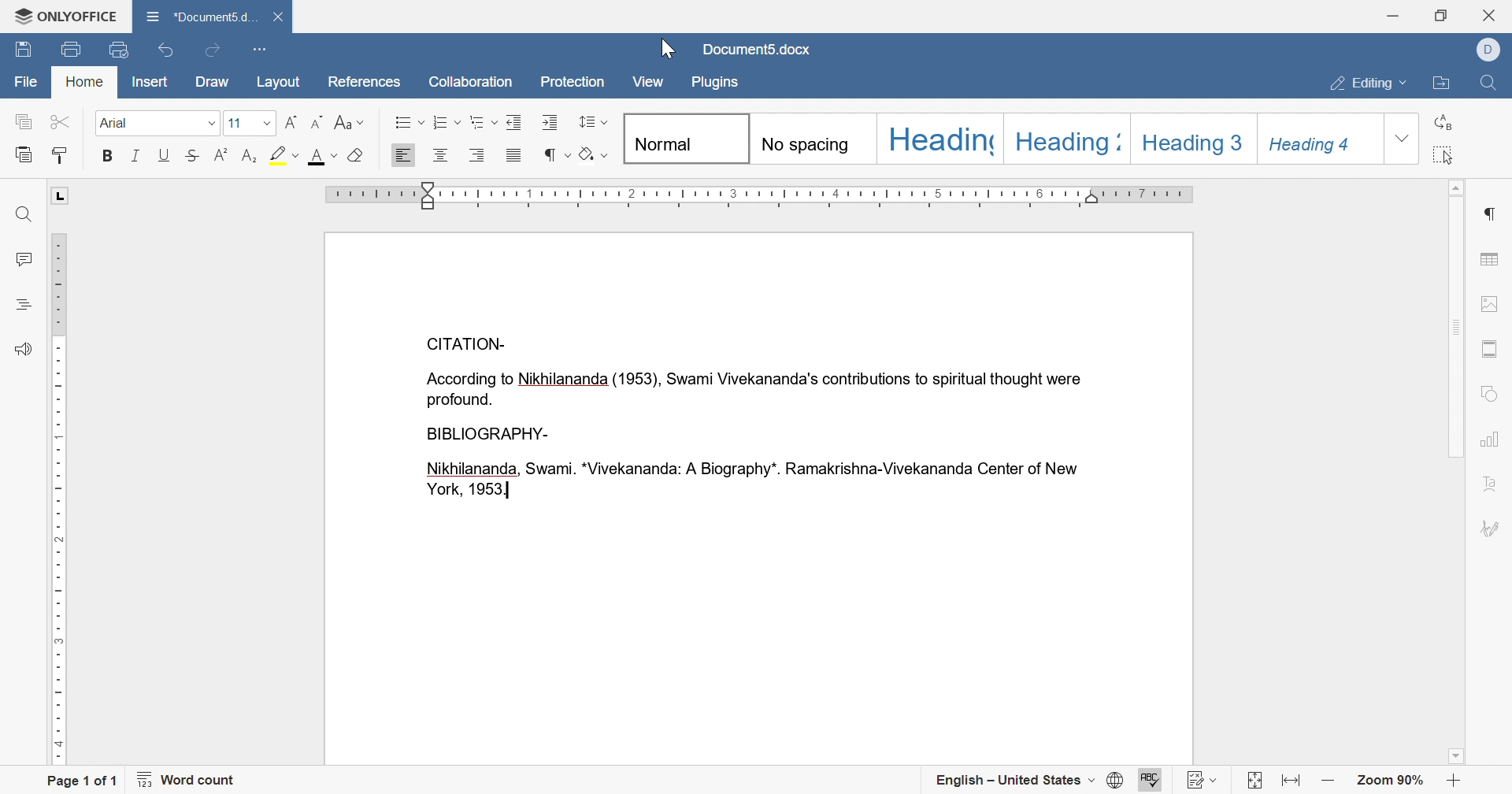 The height and width of the screenshot is (794, 1512). I want to click on paste, so click(24, 156).